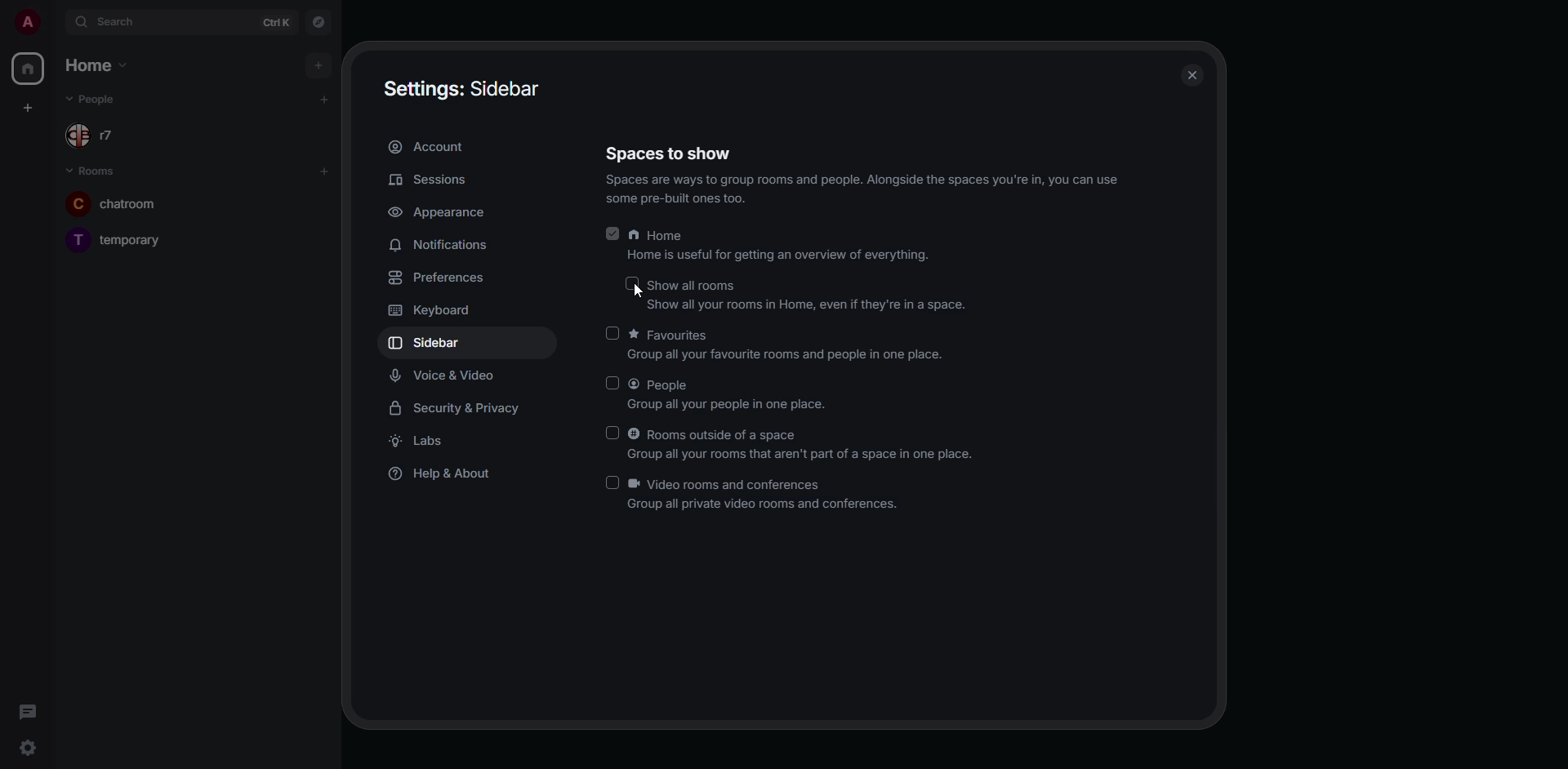  I want to click on favorites, so click(789, 346).